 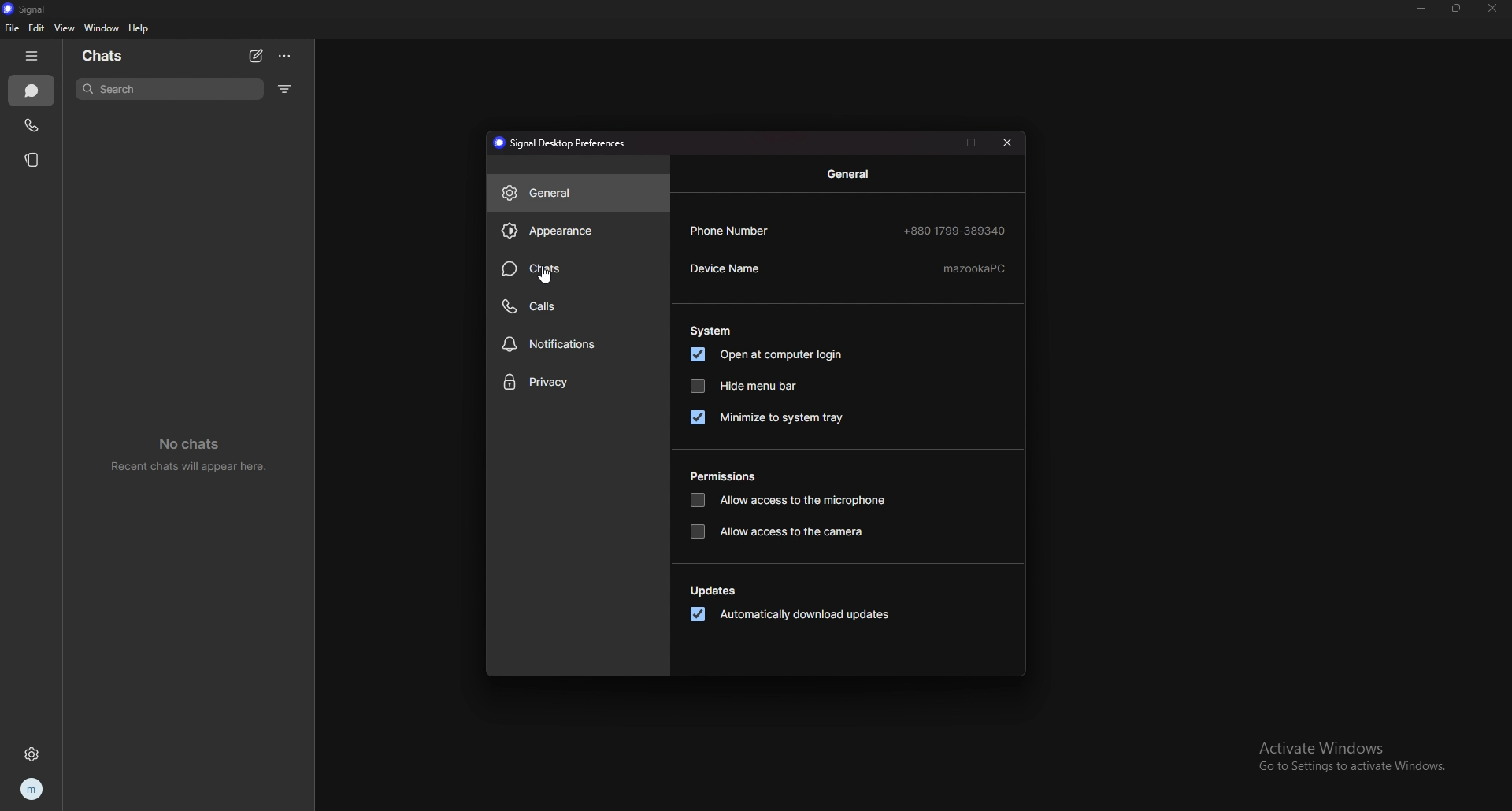 I want to click on mazookaPC, so click(x=975, y=267).